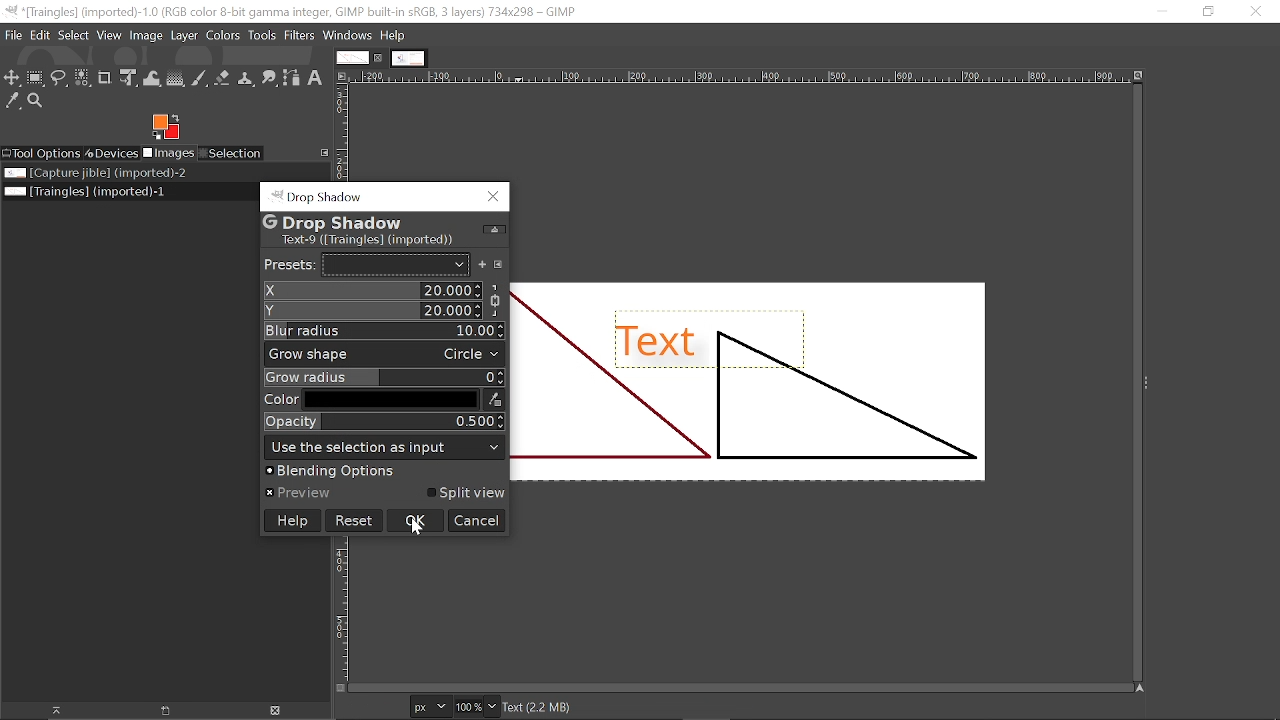 This screenshot has height=720, width=1280. I want to click on Presets, so click(395, 264).